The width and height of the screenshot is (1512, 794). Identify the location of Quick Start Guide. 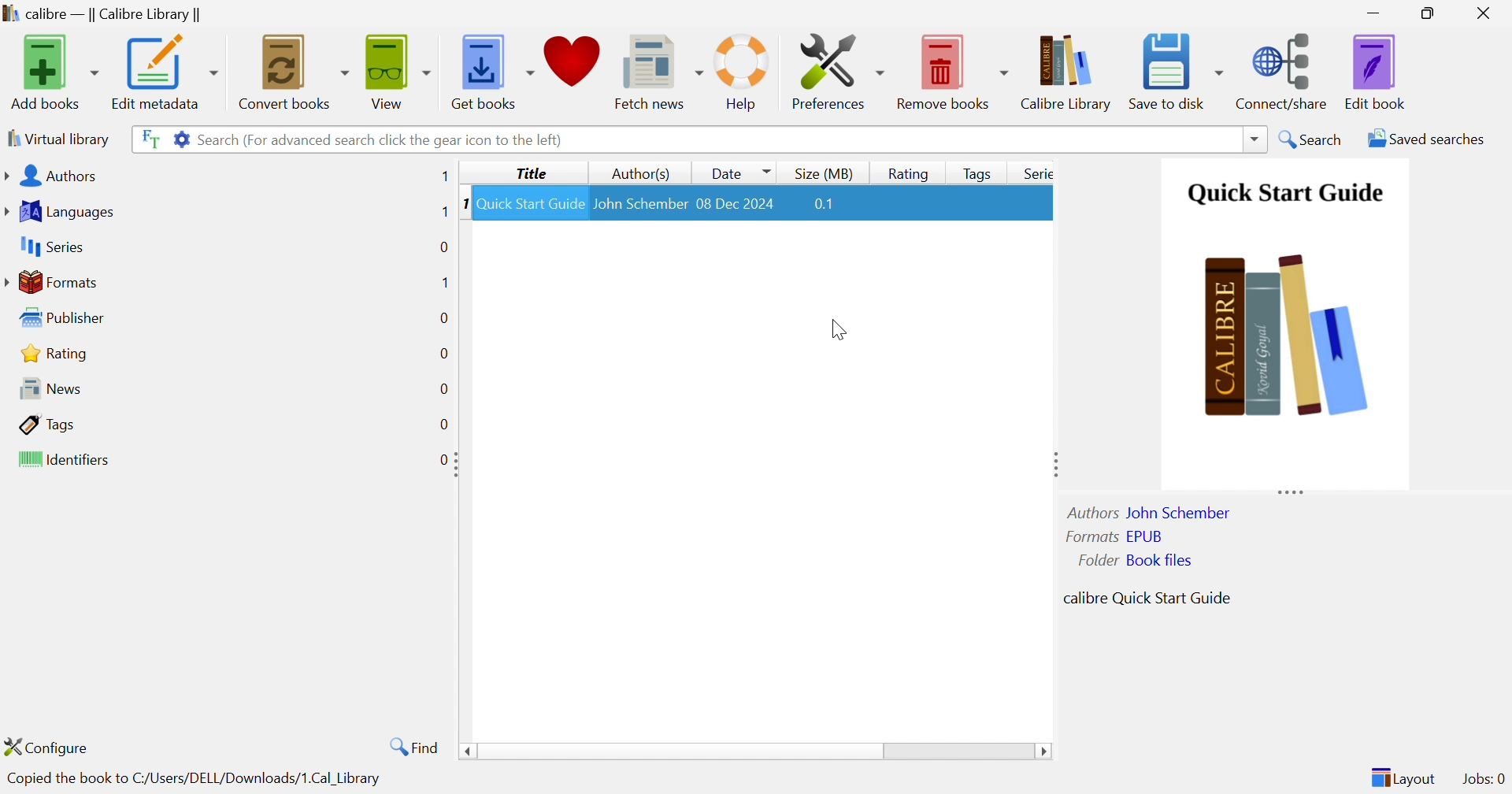
(528, 202).